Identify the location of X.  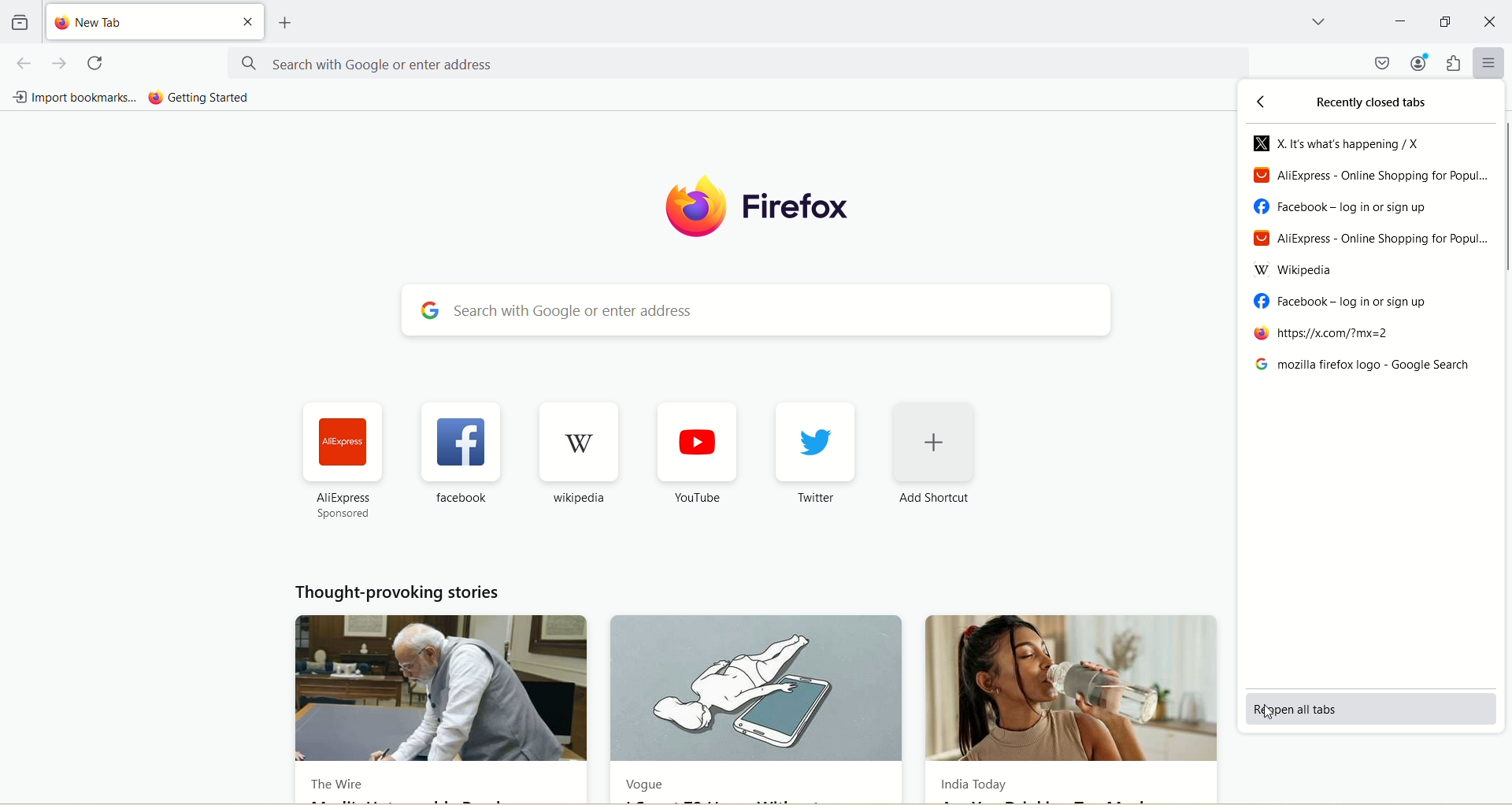
(1372, 139).